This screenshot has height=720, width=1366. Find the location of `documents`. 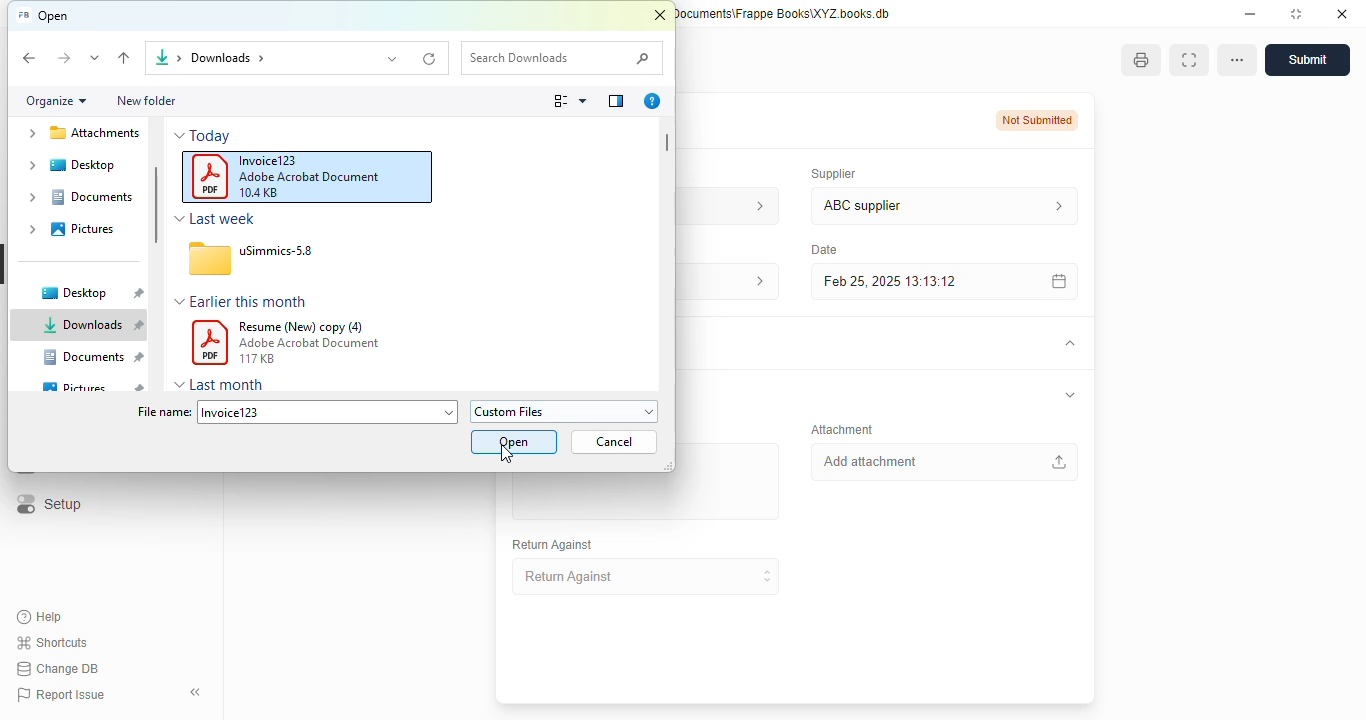

documents is located at coordinates (93, 356).